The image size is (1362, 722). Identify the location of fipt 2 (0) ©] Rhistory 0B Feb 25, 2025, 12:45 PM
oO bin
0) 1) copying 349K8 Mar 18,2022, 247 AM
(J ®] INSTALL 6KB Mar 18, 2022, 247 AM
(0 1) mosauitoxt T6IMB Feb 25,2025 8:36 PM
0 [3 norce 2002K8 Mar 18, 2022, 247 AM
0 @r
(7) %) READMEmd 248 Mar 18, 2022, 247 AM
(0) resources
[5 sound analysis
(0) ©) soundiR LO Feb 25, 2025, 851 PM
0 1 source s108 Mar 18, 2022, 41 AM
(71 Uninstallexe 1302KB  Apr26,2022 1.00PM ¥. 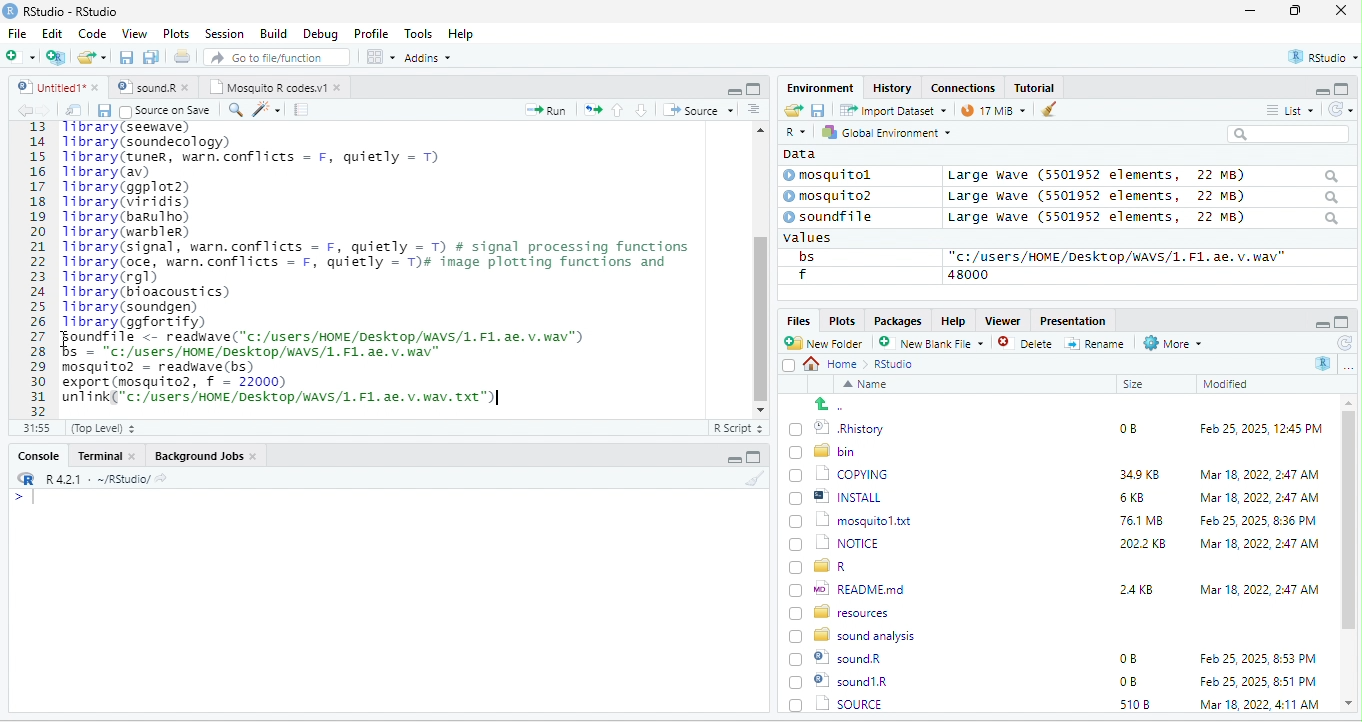
(394, 262).